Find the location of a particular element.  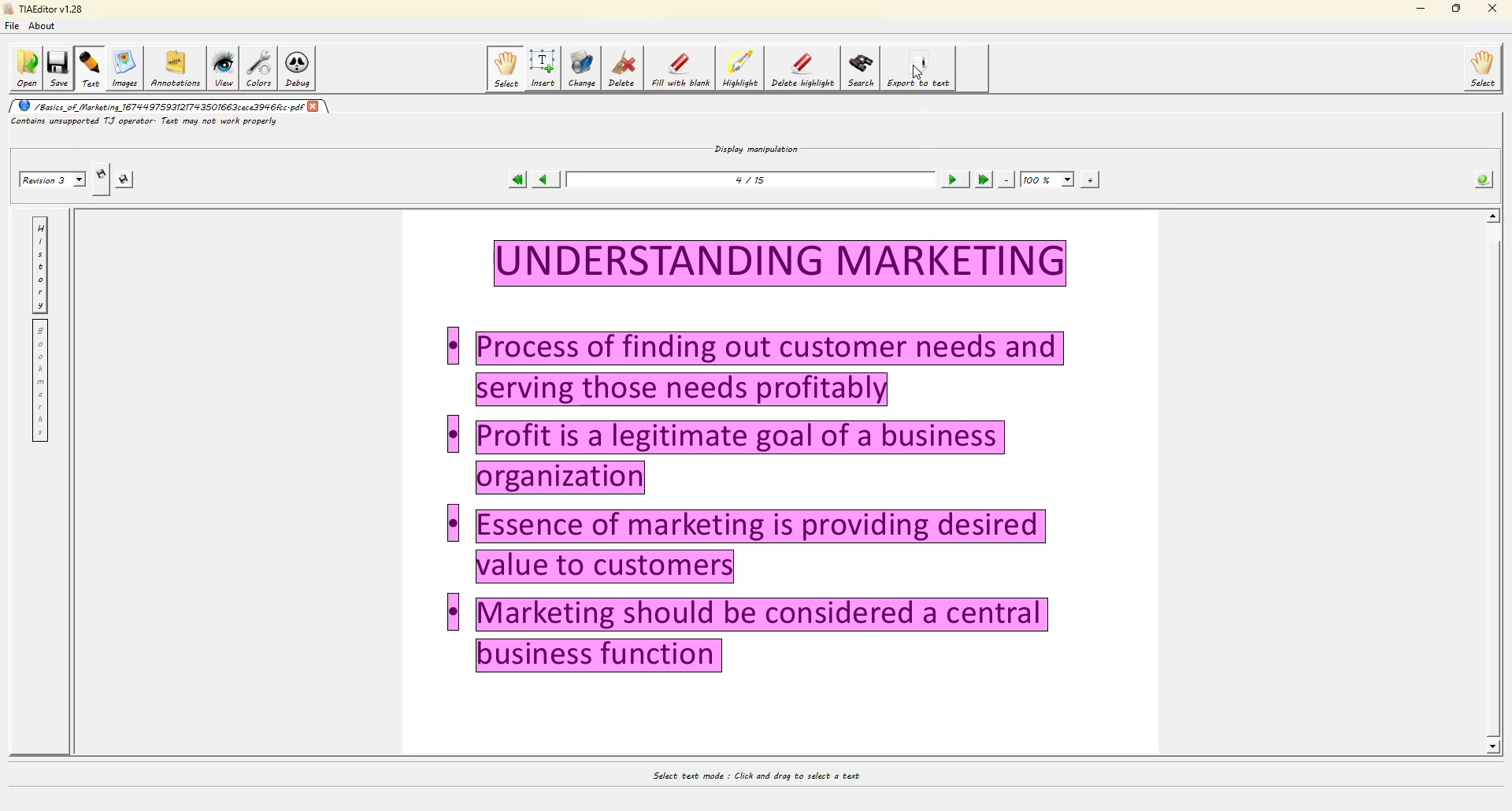

 is located at coordinates (762, 635).